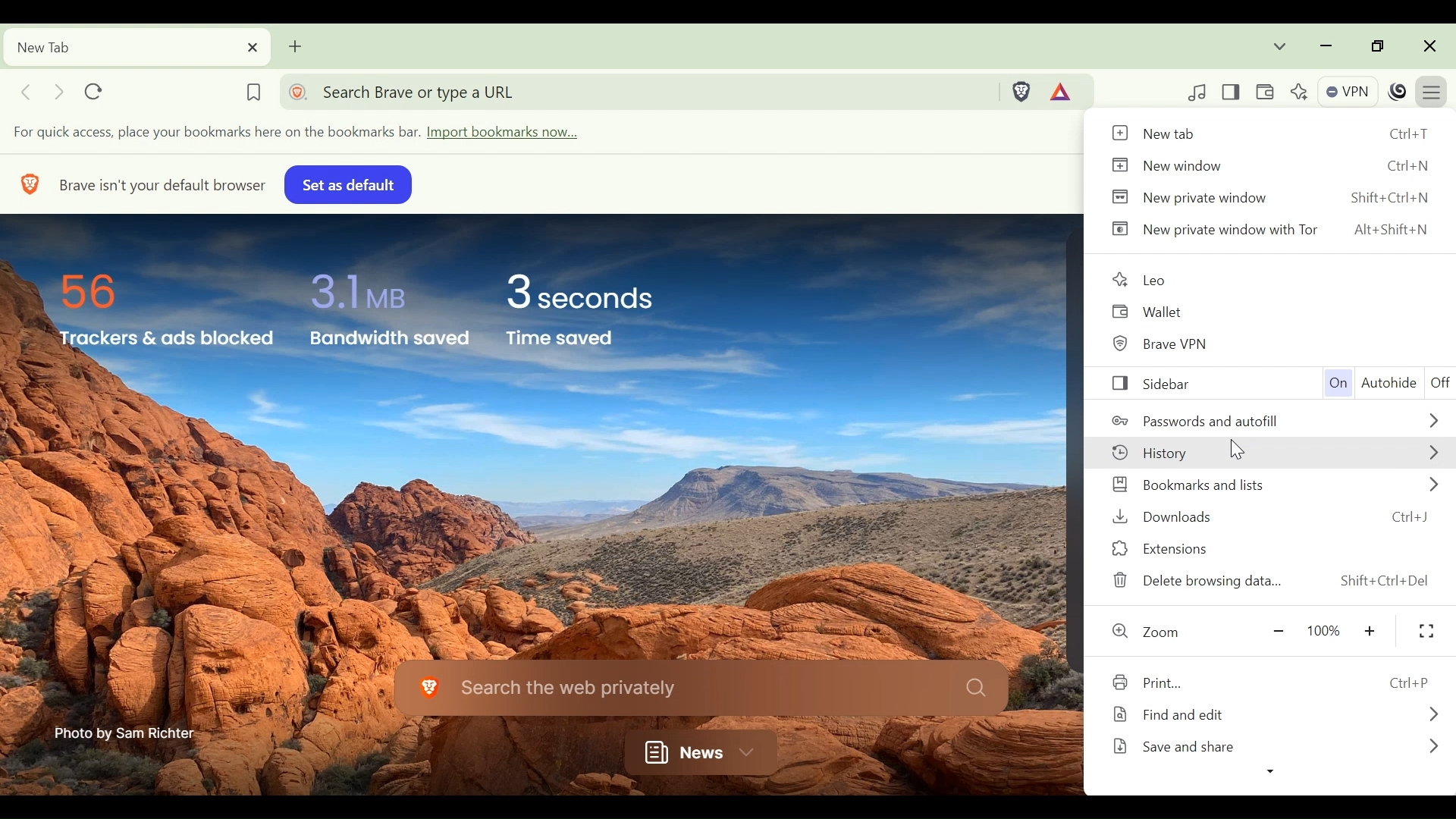 Image resolution: width=1456 pixels, height=819 pixels. What do you see at coordinates (639, 90) in the screenshot?
I see `Address bar` at bounding box center [639, 90].